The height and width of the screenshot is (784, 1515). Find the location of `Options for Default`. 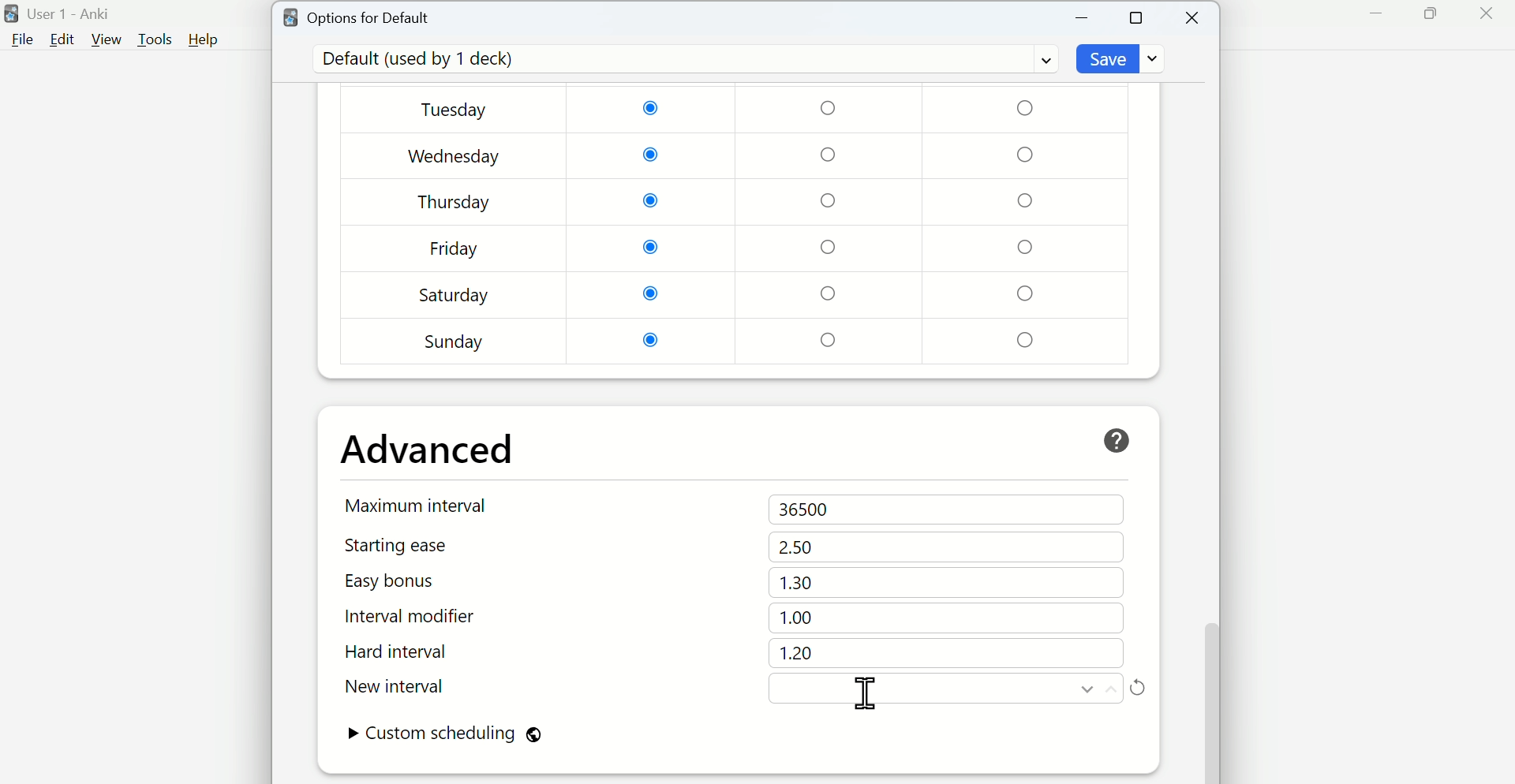

Options for Default is located at coordinates (357, 16).